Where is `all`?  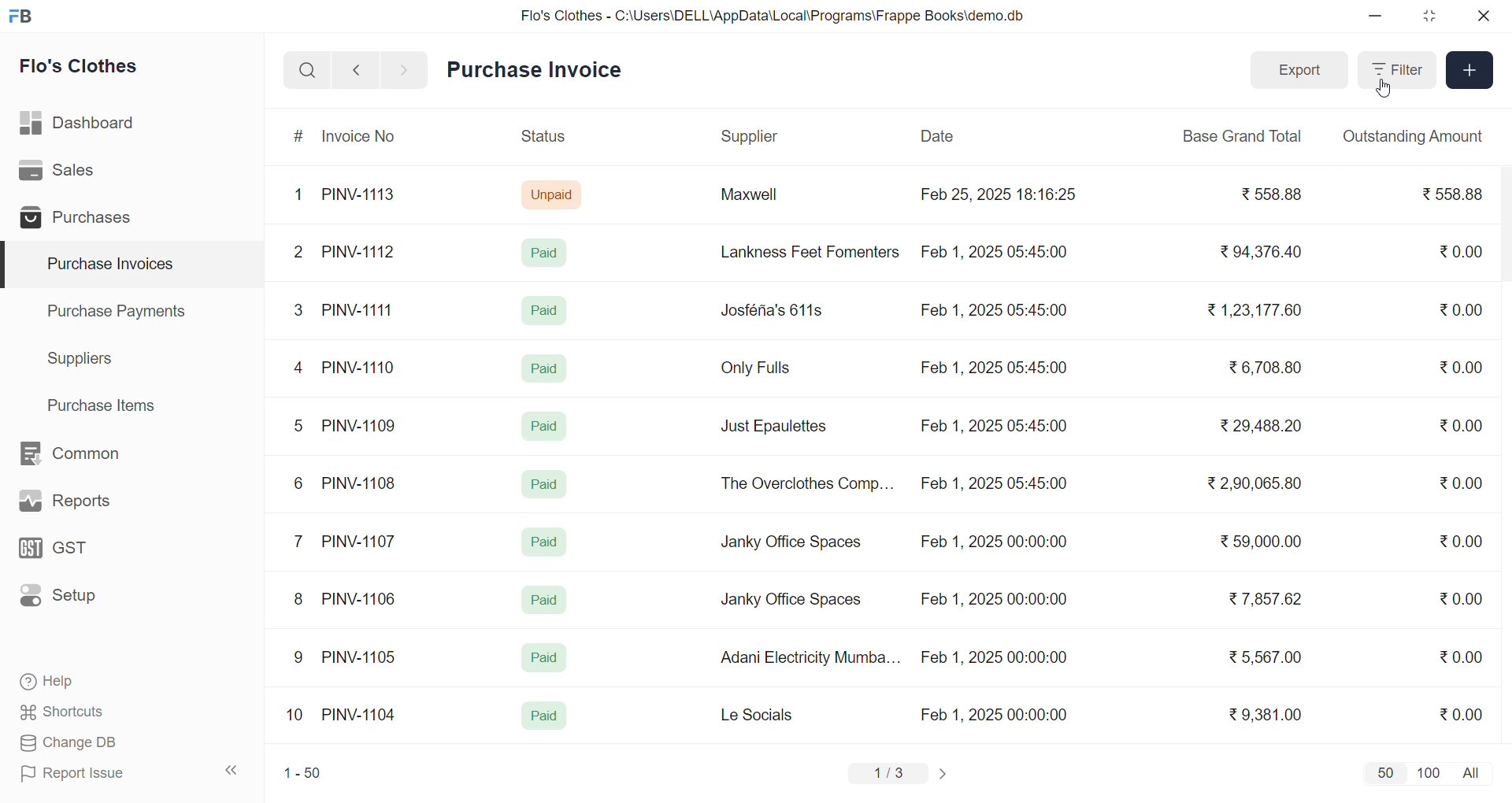 all is located at coordinates (1474, 772).